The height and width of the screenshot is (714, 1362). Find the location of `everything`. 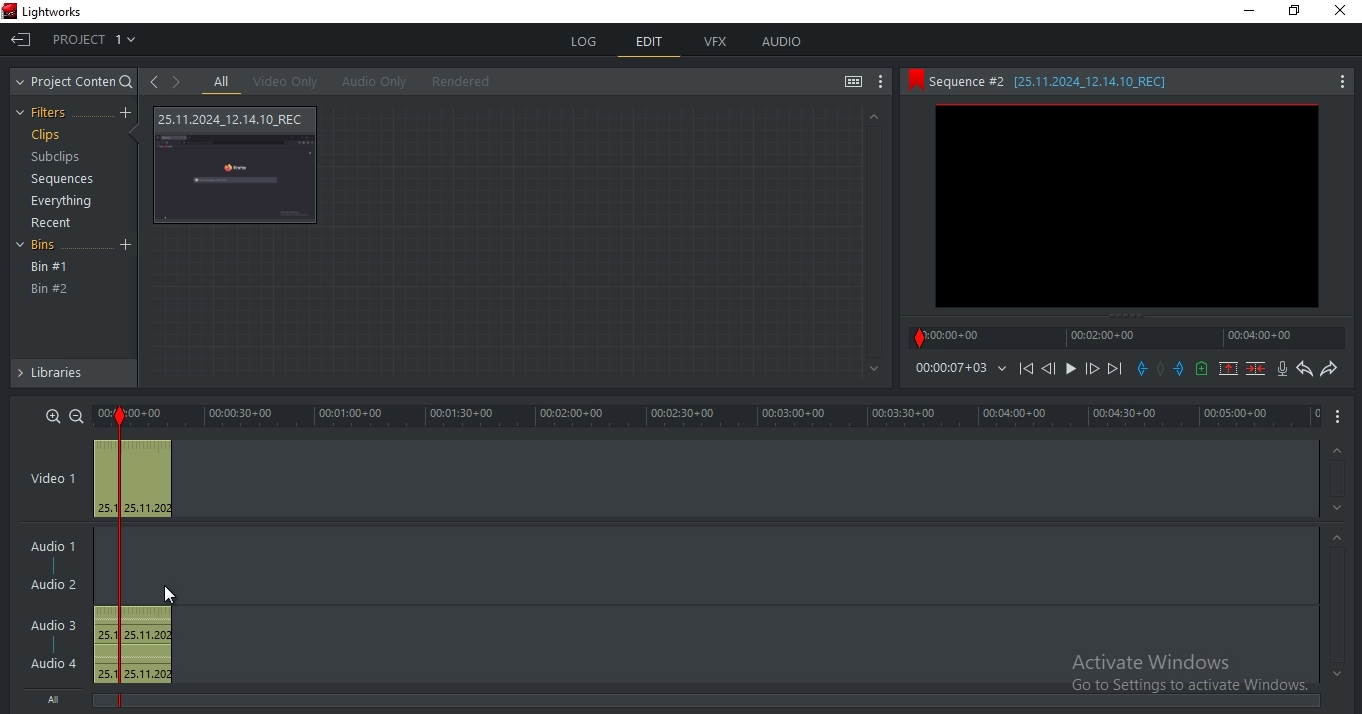

everything is located at coordinates (65, 200).